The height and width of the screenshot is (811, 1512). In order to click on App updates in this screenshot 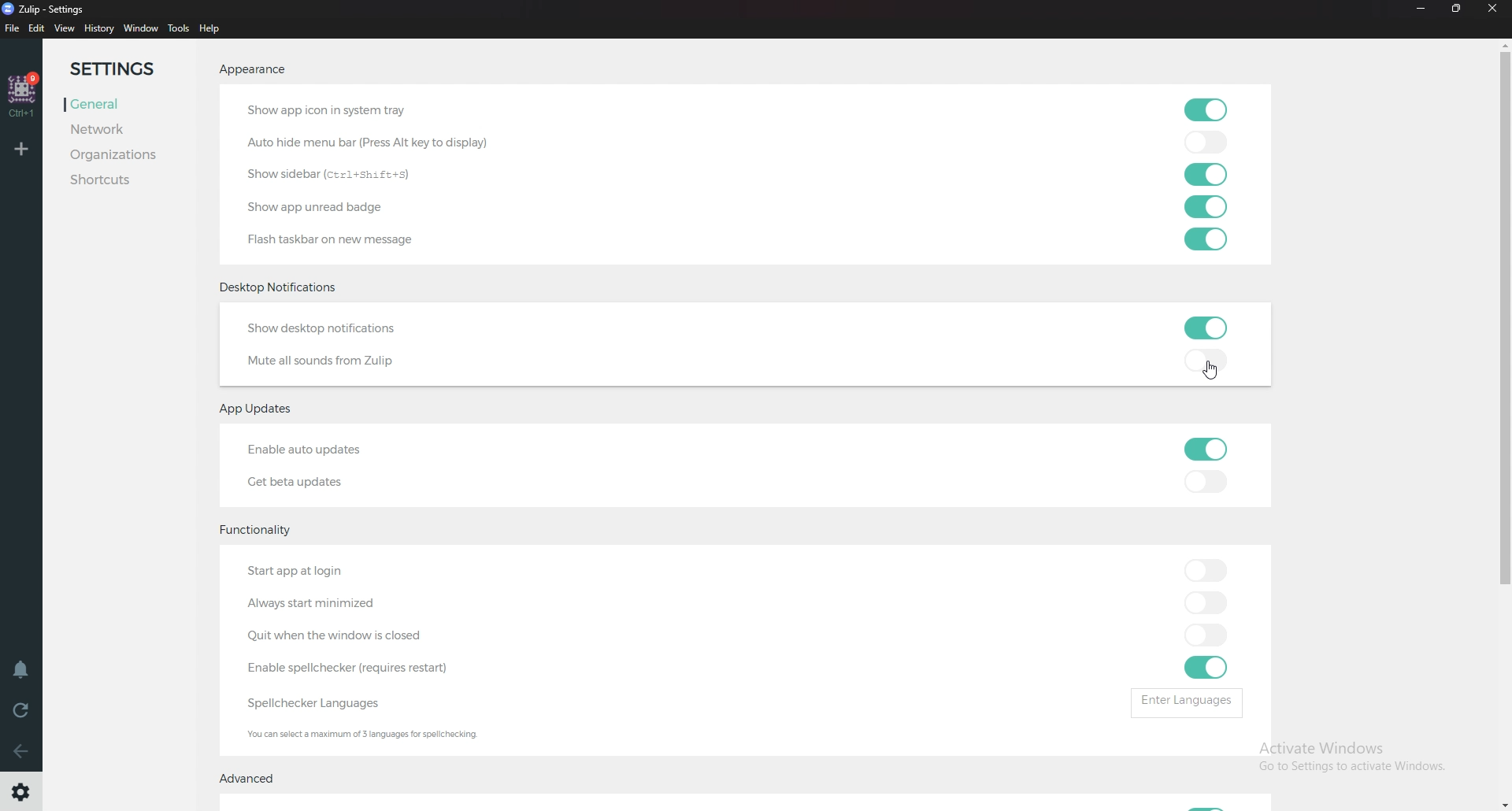, I will do `click(263, 409)`.